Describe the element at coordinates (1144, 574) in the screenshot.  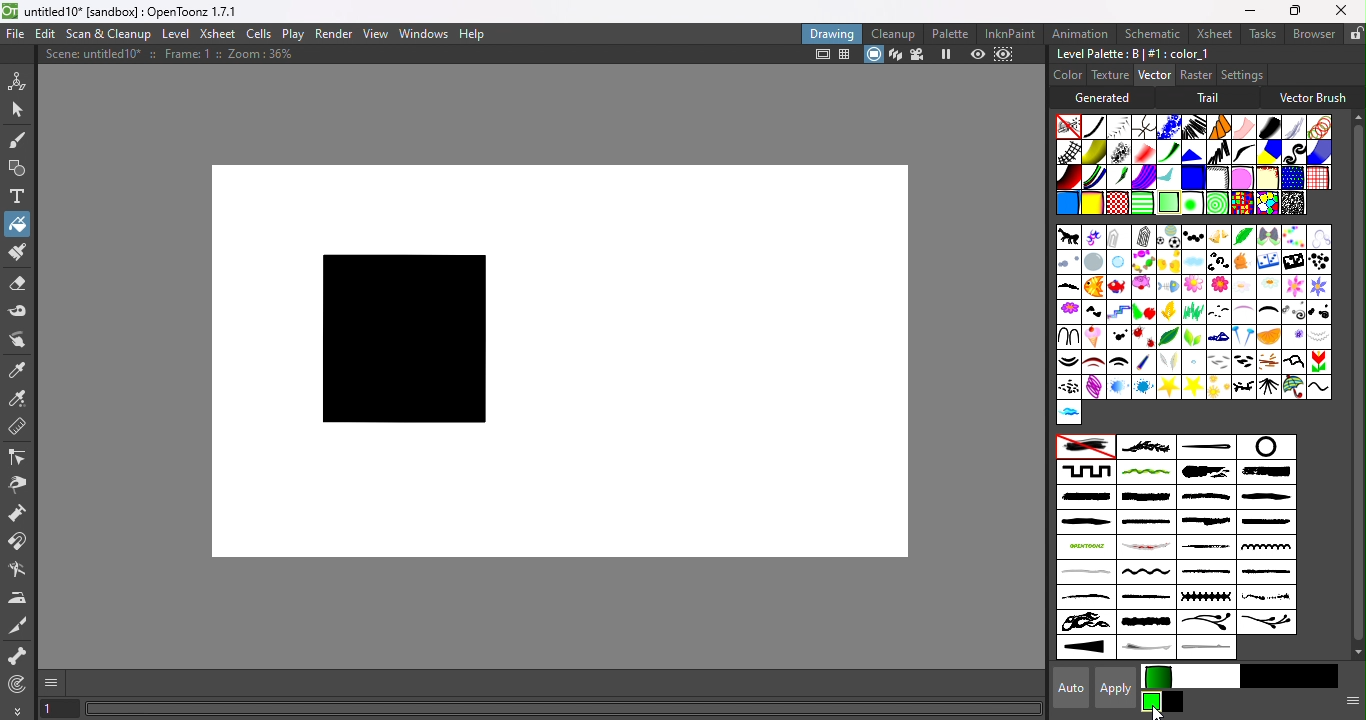
I see `simple_wave` at that location.